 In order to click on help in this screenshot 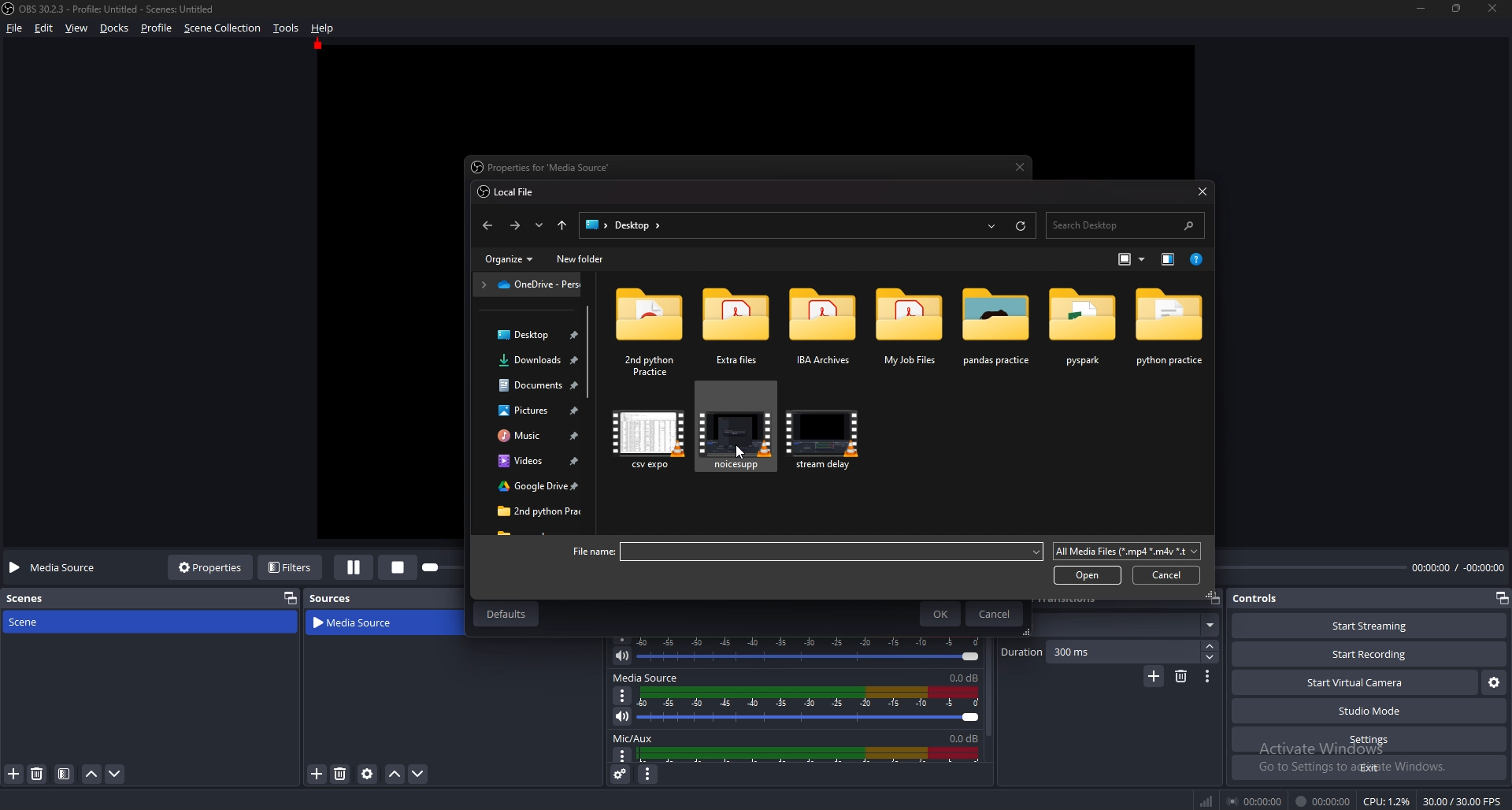, I will do `click(1200, 258)`.